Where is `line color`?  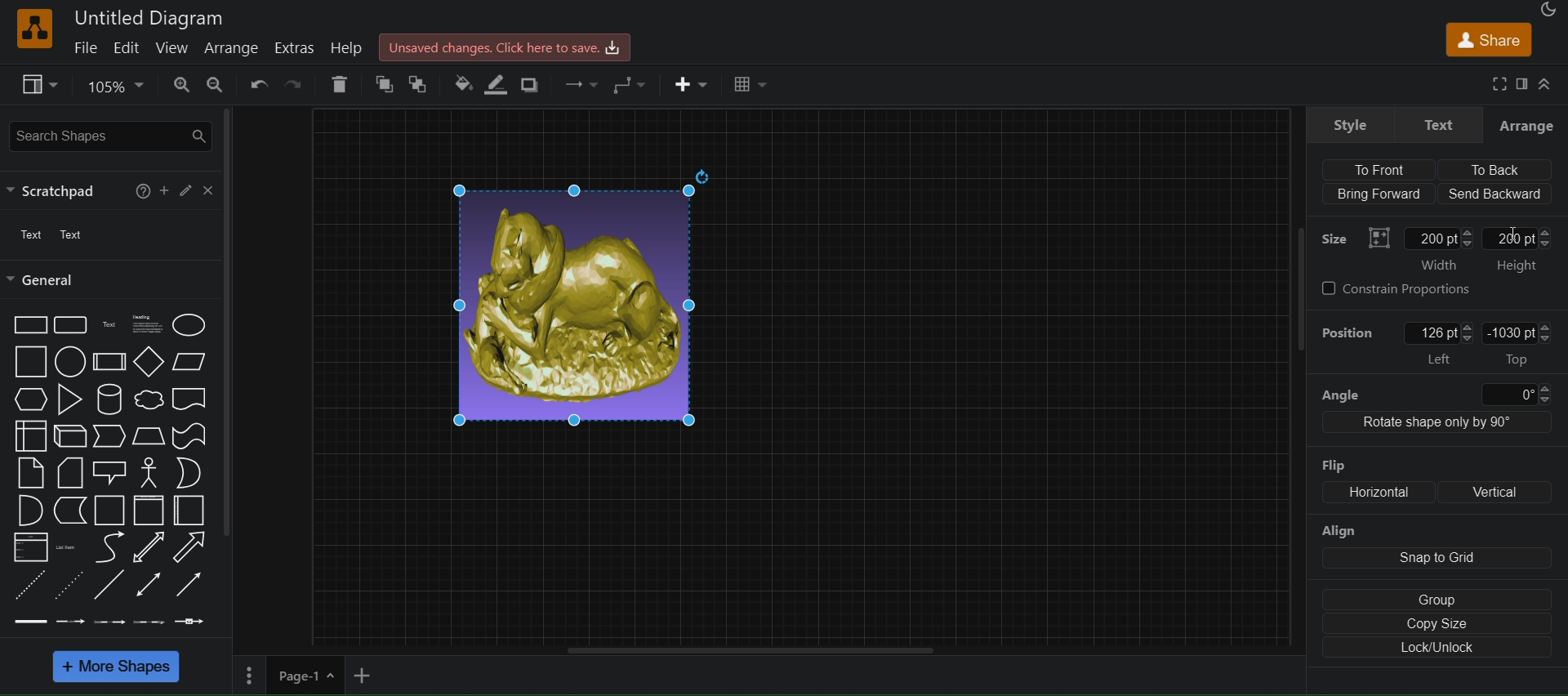 line color is located at coordinates (498, 86).